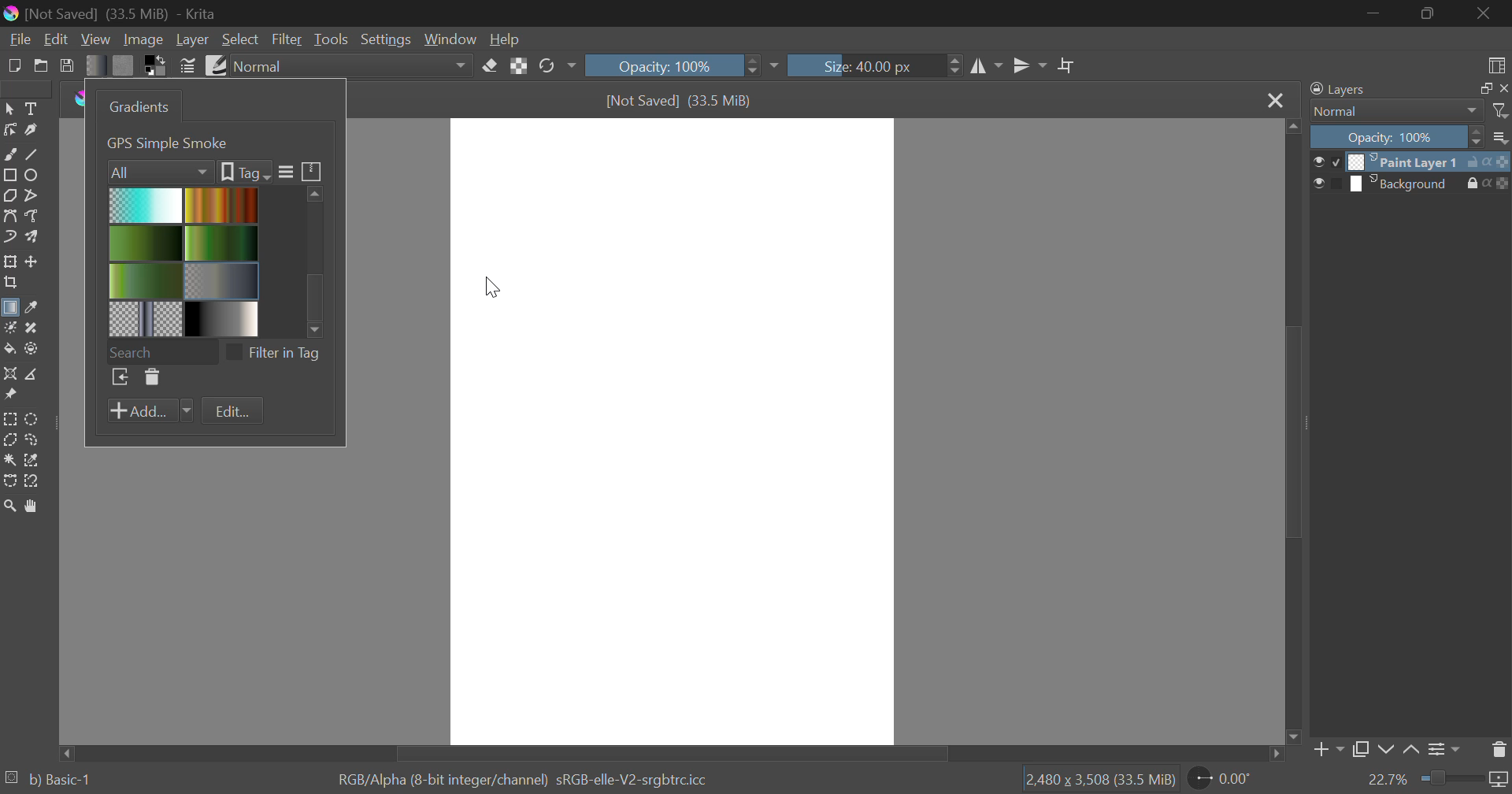 This screenshot has width=1512, height=794. What do you see at coordinates (9, 216) in the screenshot?
I see `Bezier Curve` at bounding box center [9, 216].